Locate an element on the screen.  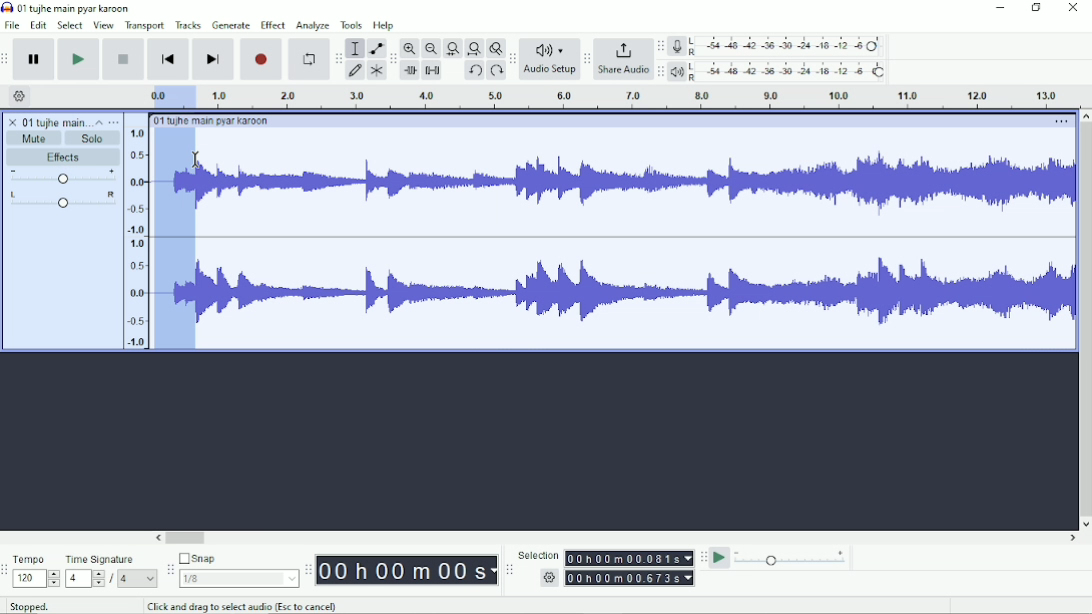
Help is located at coordinates (385, 26).